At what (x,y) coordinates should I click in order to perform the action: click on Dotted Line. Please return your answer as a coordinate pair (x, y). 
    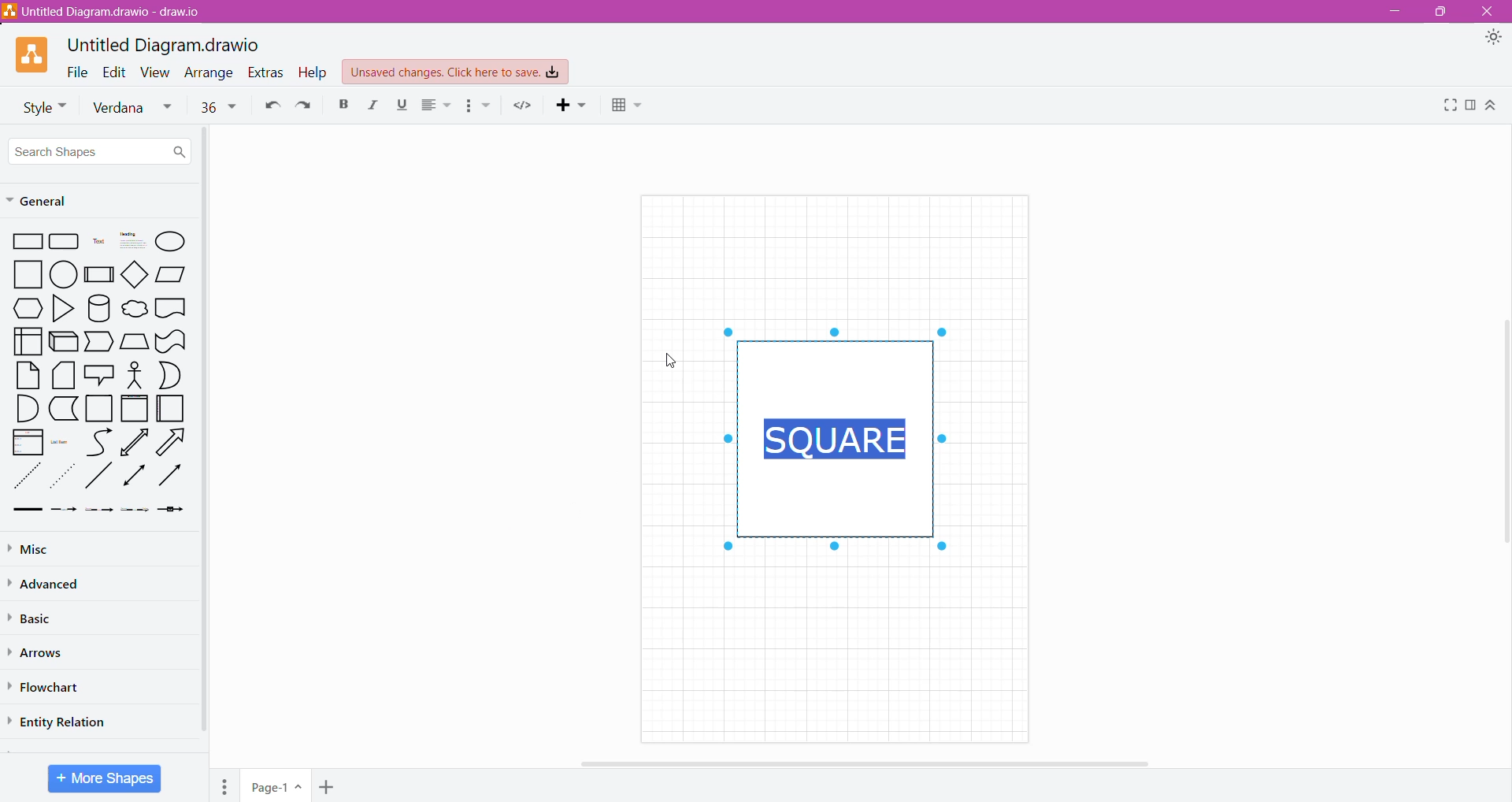
    Looking at the image, I should click on (25, 477).